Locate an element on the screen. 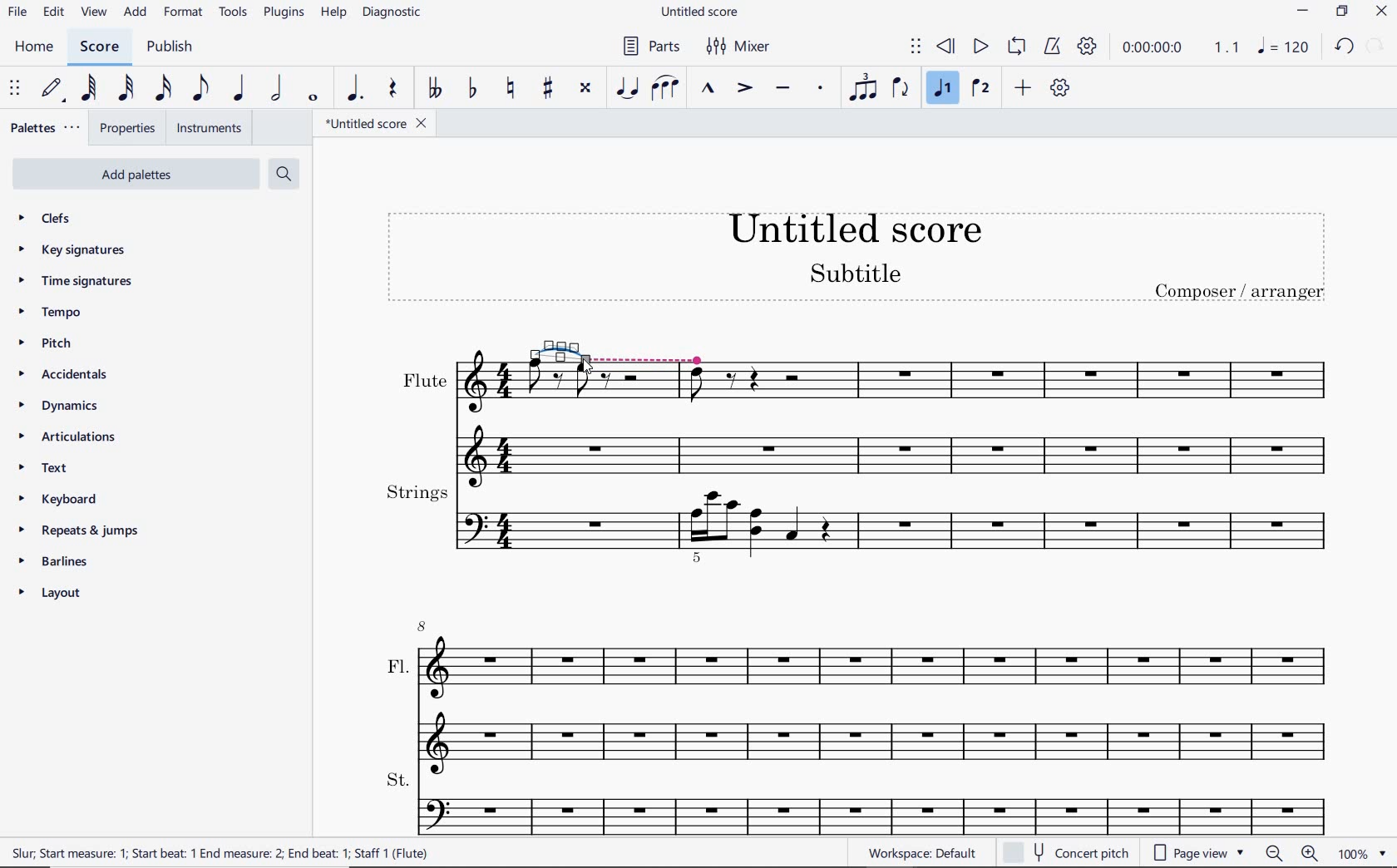  zoom in or zoom out is located at coordinates (1291, 851).